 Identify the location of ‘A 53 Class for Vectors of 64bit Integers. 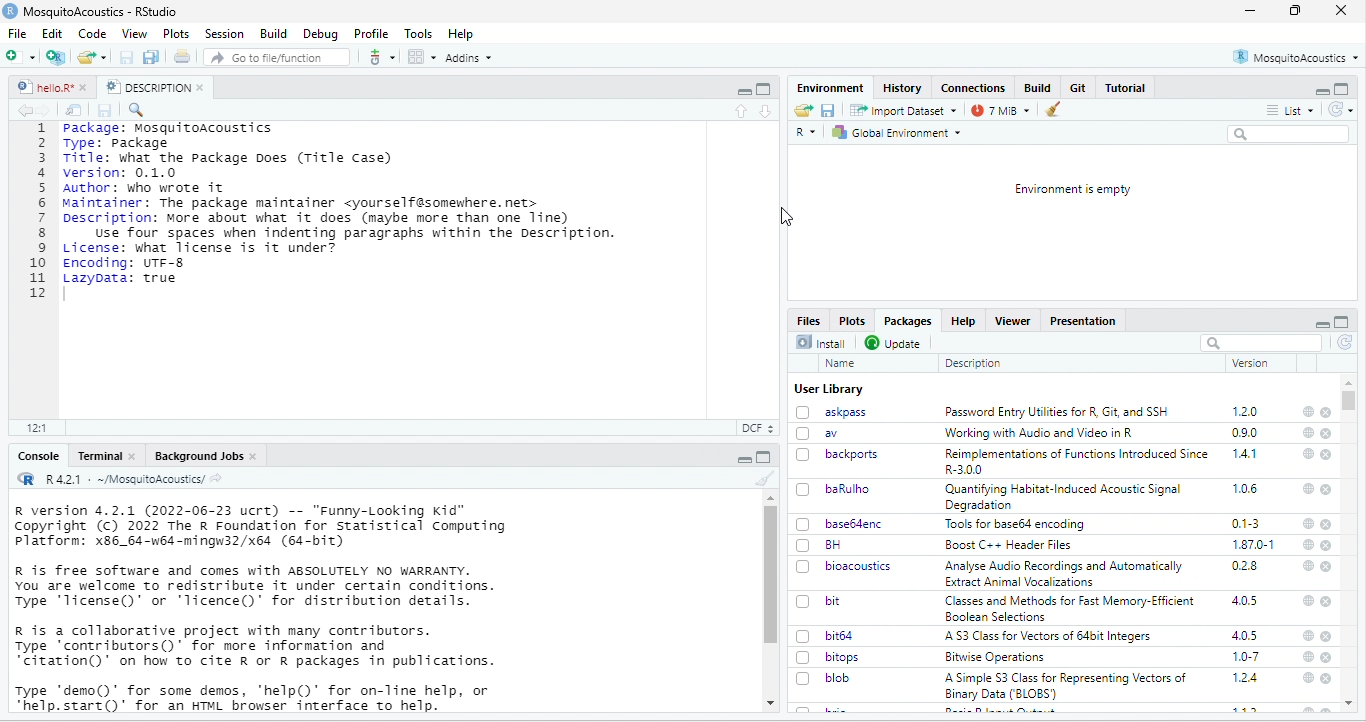
(1052, 636).